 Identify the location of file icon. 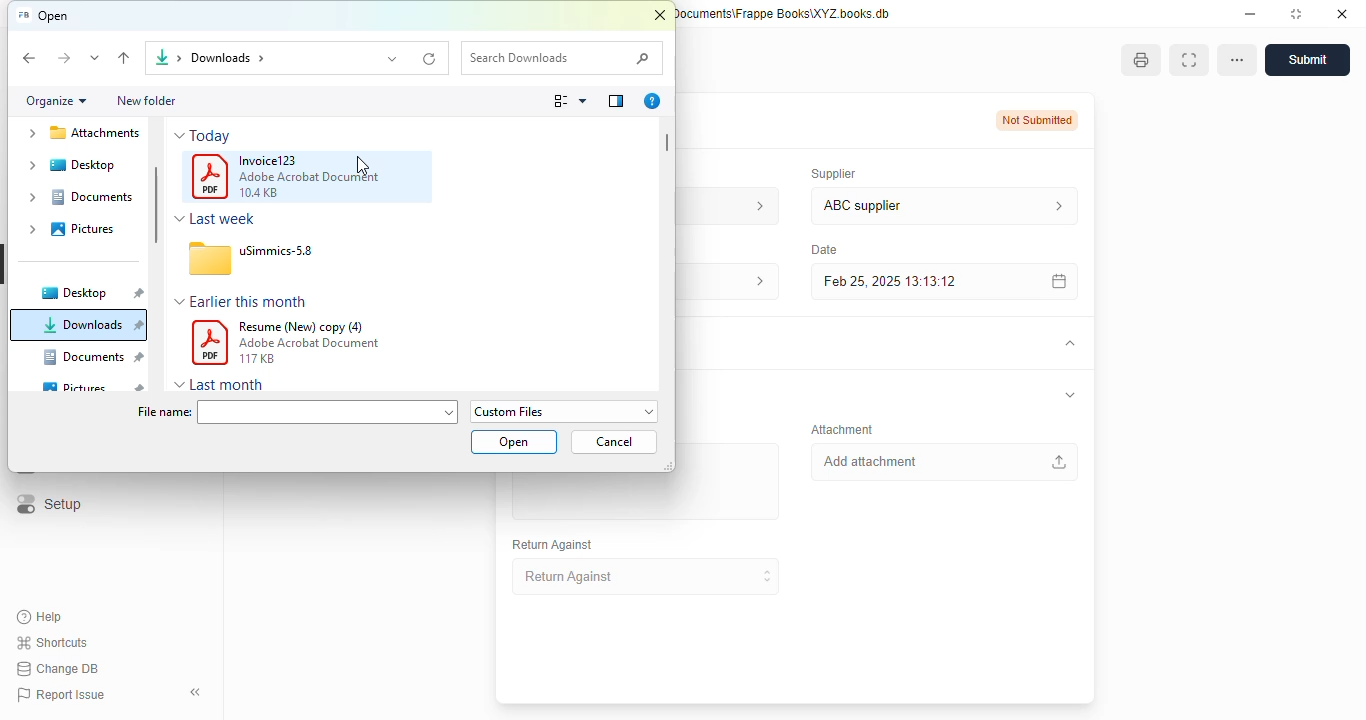
(210, 258).